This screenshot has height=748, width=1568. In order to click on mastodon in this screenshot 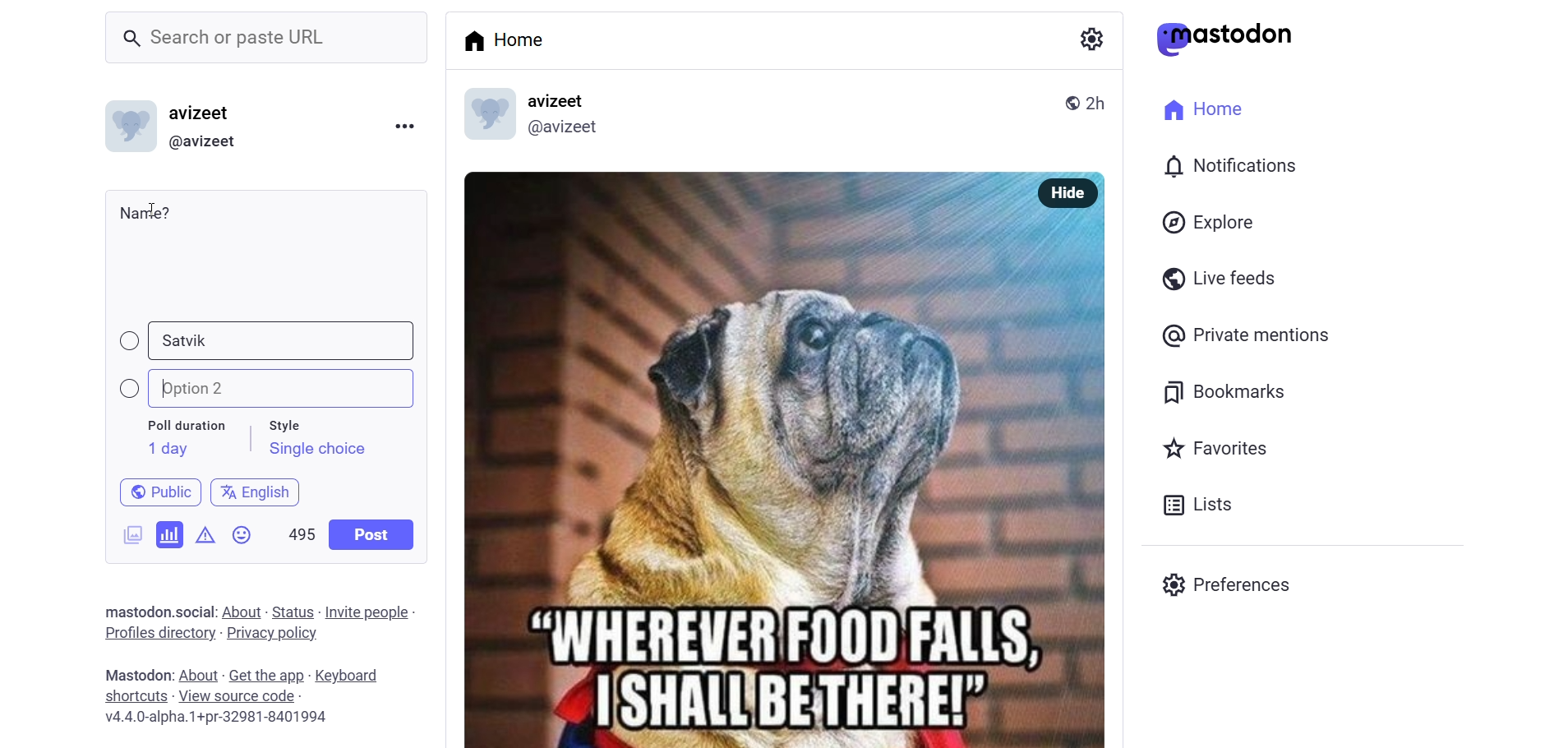, I will do `click(133, 609)`.